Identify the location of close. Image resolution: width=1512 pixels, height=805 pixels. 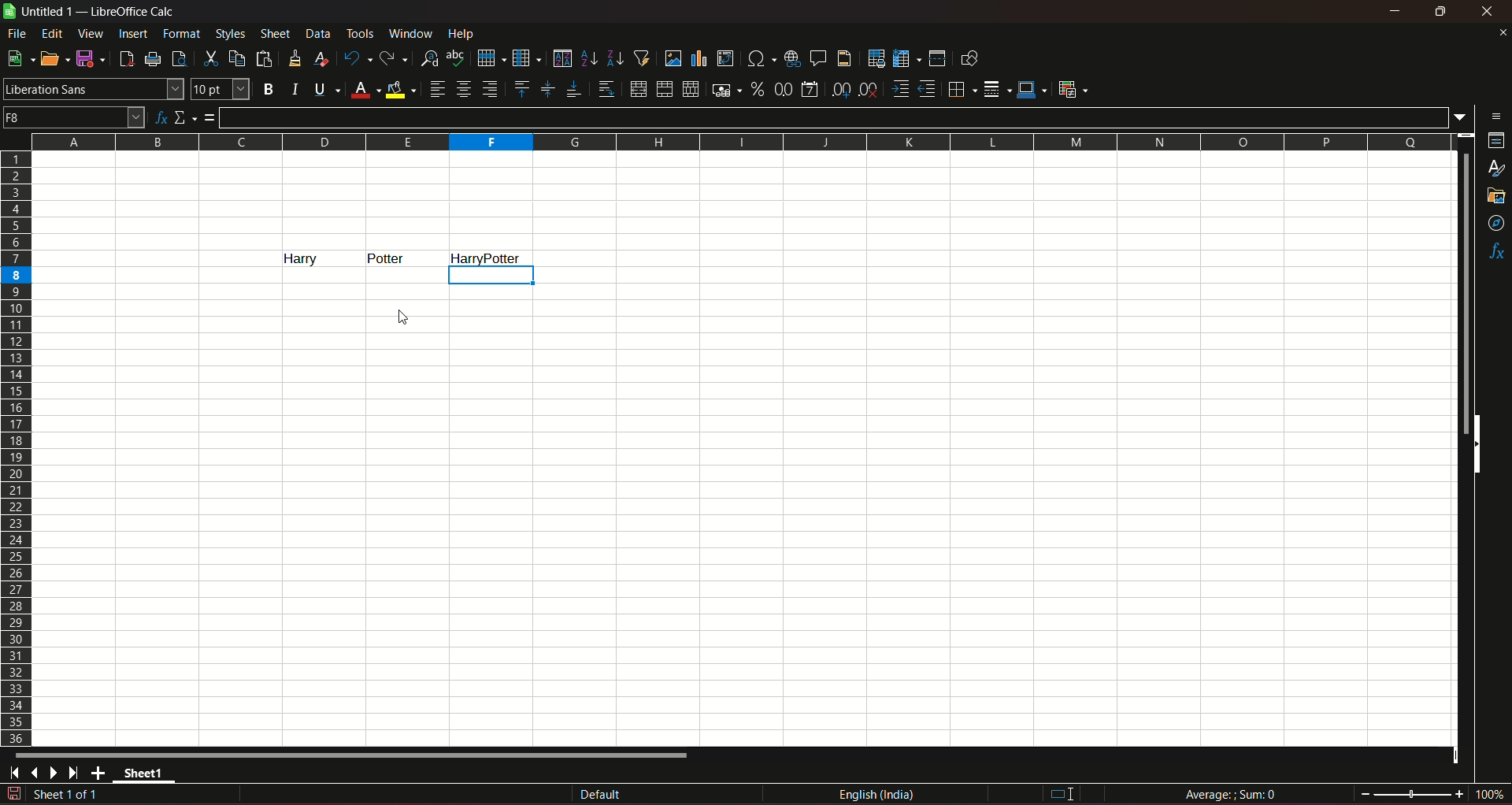
(1502, 32).